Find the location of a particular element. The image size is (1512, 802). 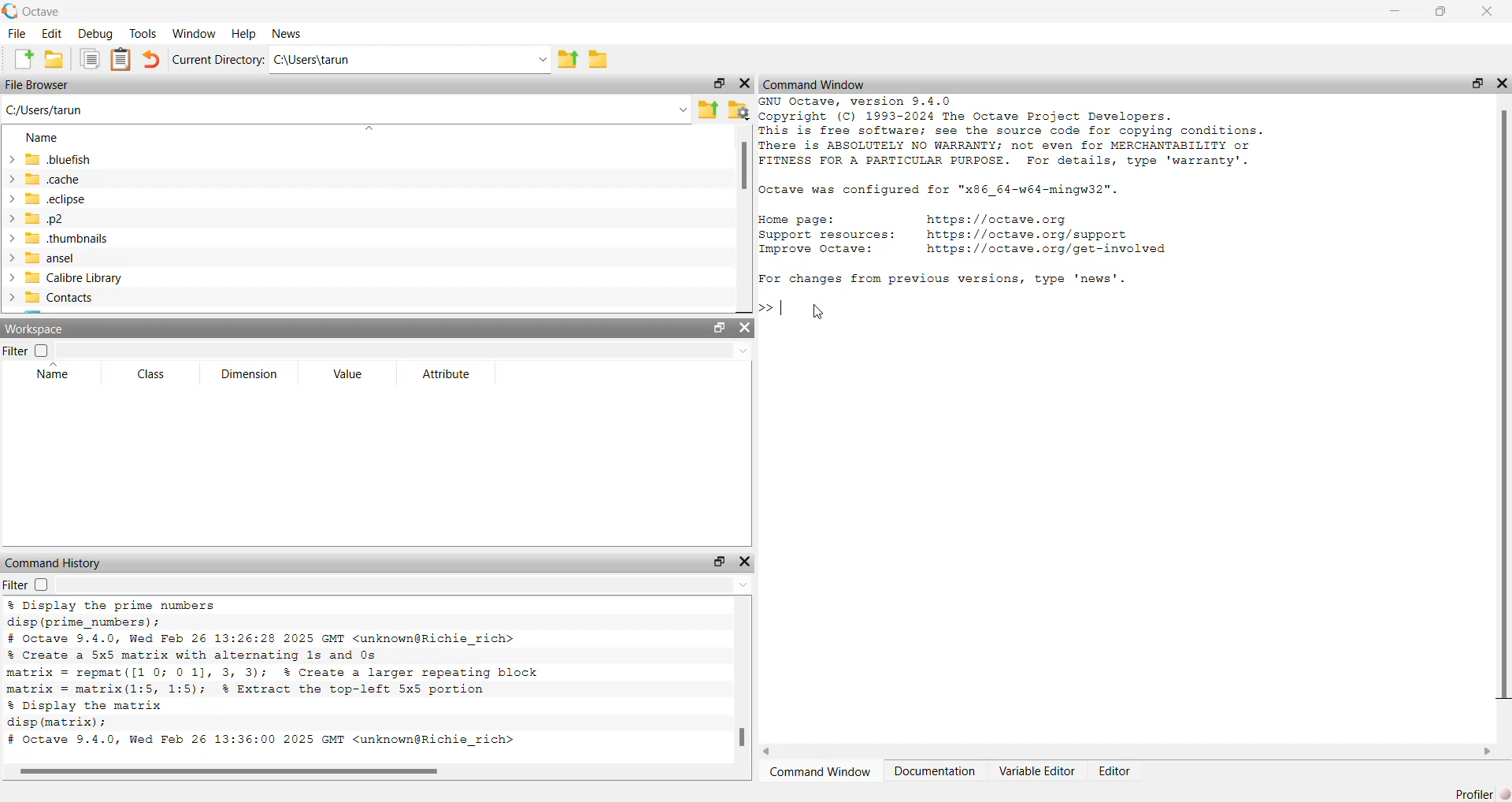

editor is located at coordinates (1117, 772).